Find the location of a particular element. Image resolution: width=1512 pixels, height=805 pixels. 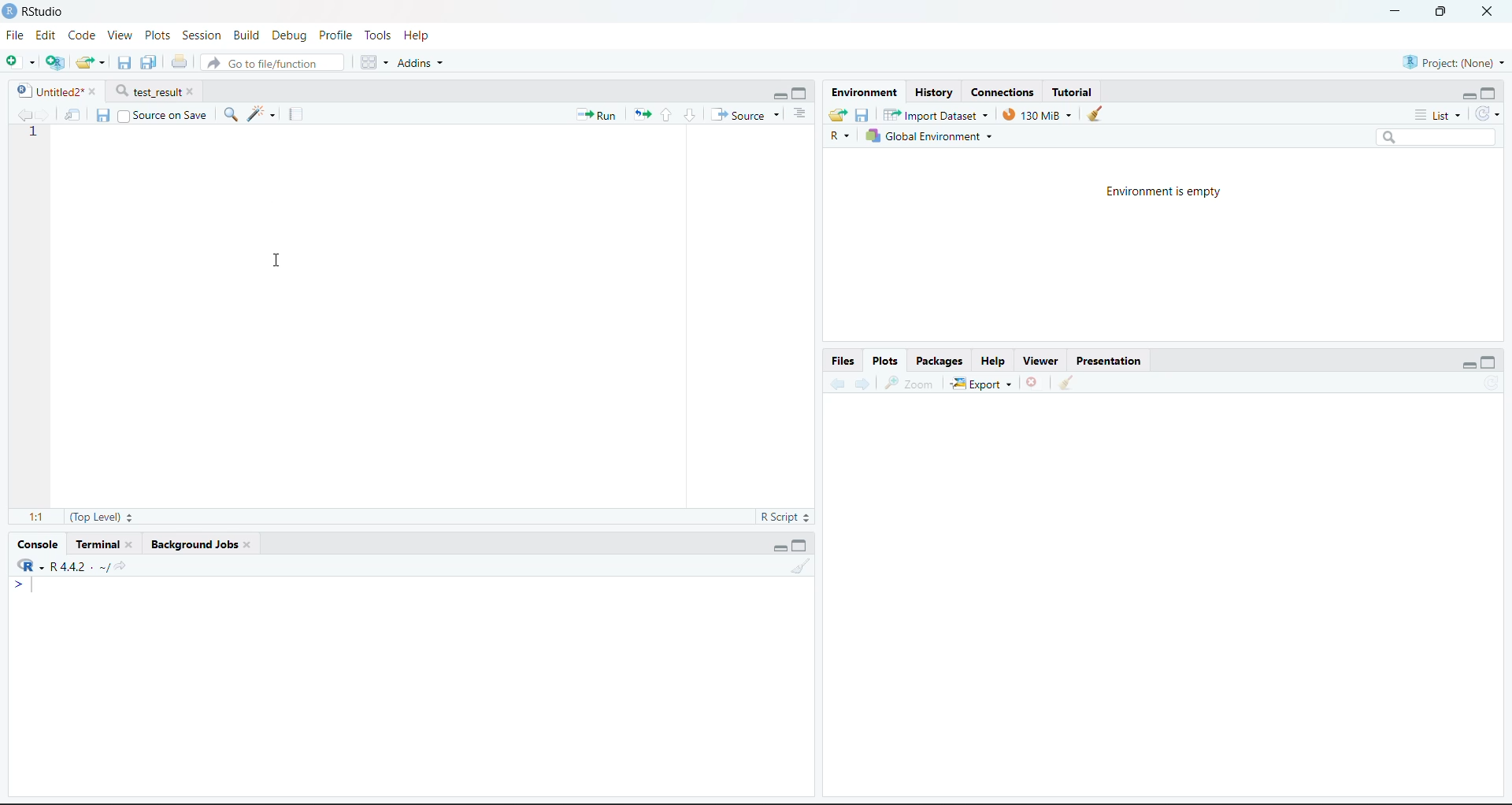

Help is located at coordinates (994, 359).